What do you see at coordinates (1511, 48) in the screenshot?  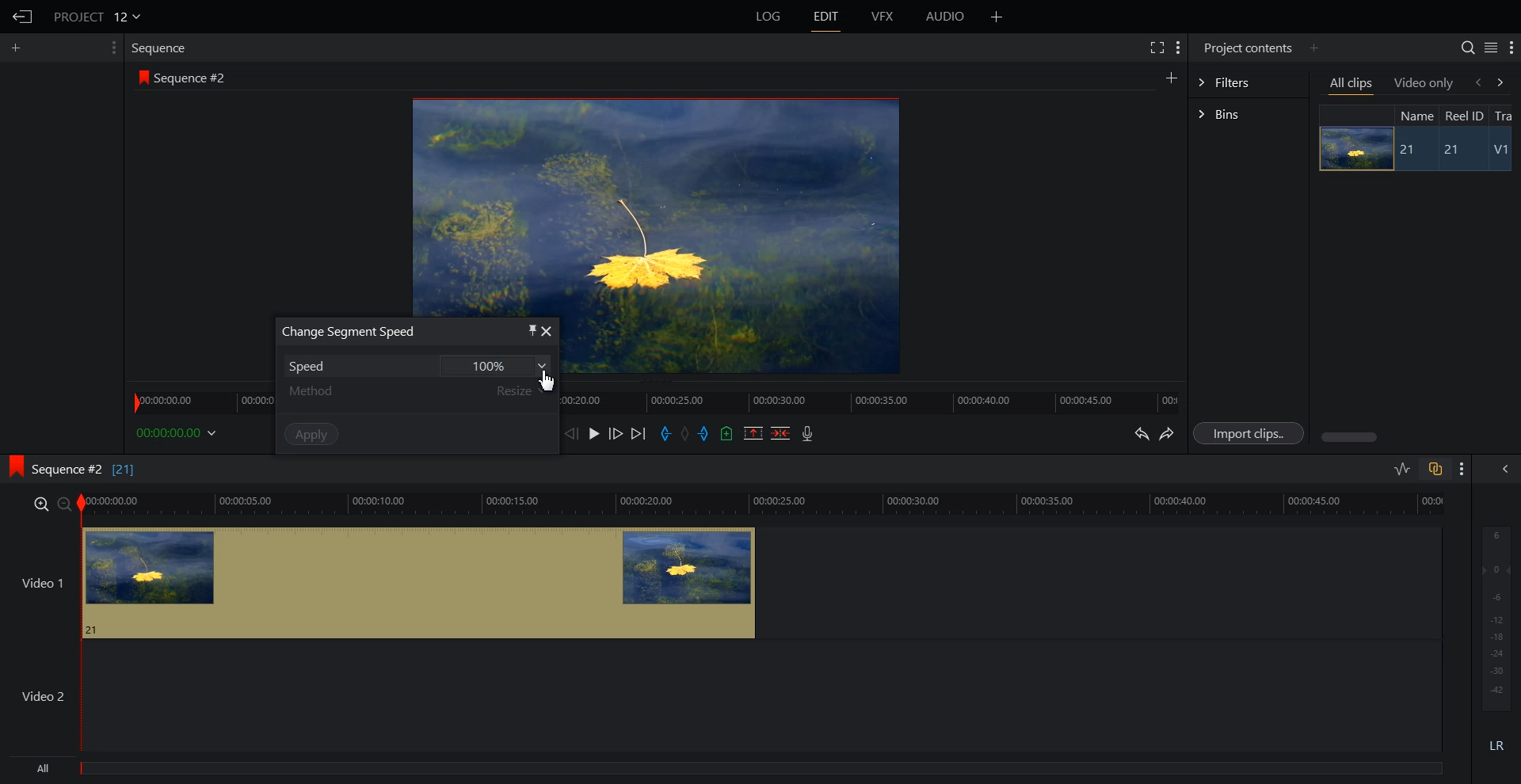 I see `Show setting menu` at bounding box center [1511, 48].